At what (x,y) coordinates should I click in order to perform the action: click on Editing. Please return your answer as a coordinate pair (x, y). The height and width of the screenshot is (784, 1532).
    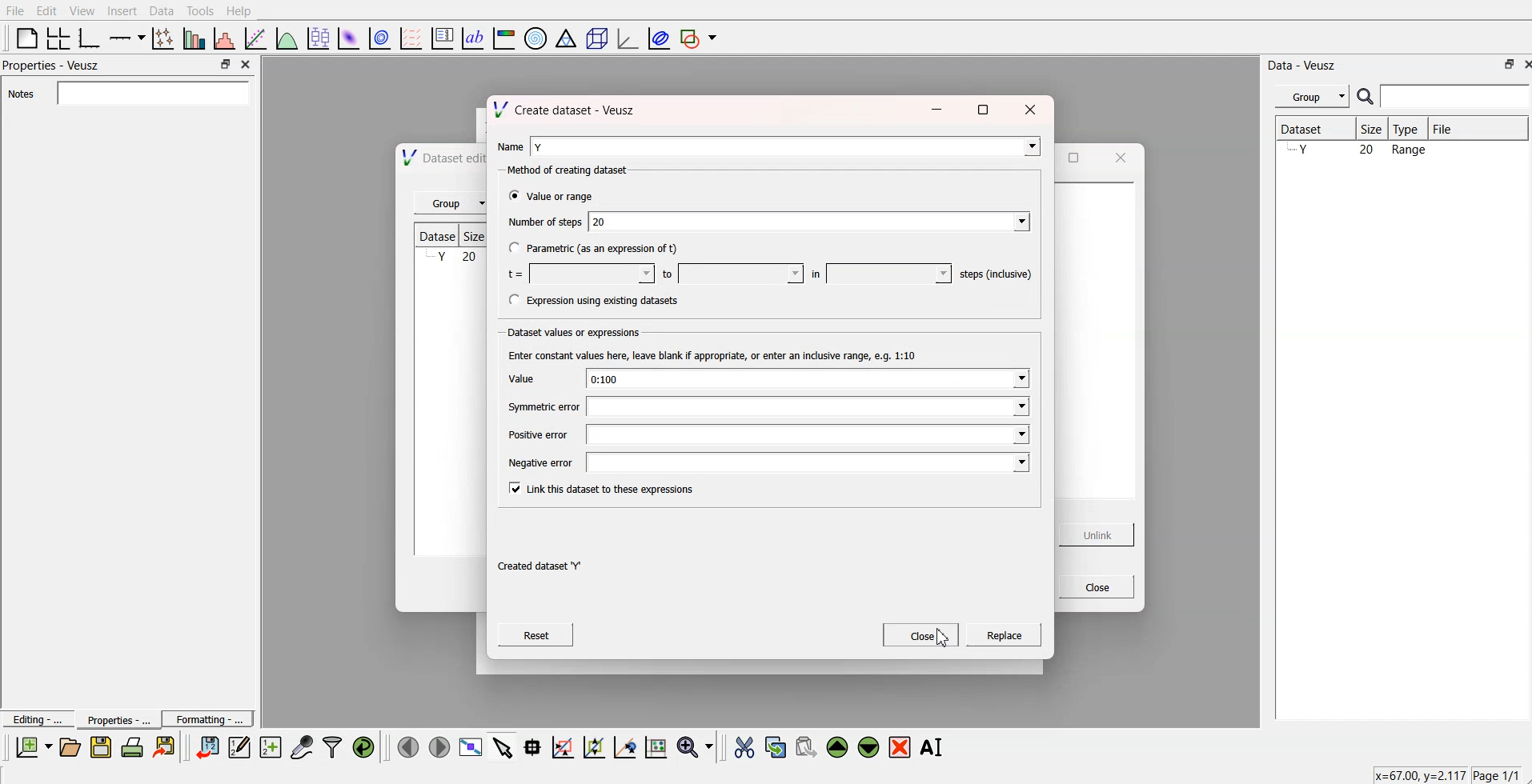
    Looking at the image, I should click on (36, 718).